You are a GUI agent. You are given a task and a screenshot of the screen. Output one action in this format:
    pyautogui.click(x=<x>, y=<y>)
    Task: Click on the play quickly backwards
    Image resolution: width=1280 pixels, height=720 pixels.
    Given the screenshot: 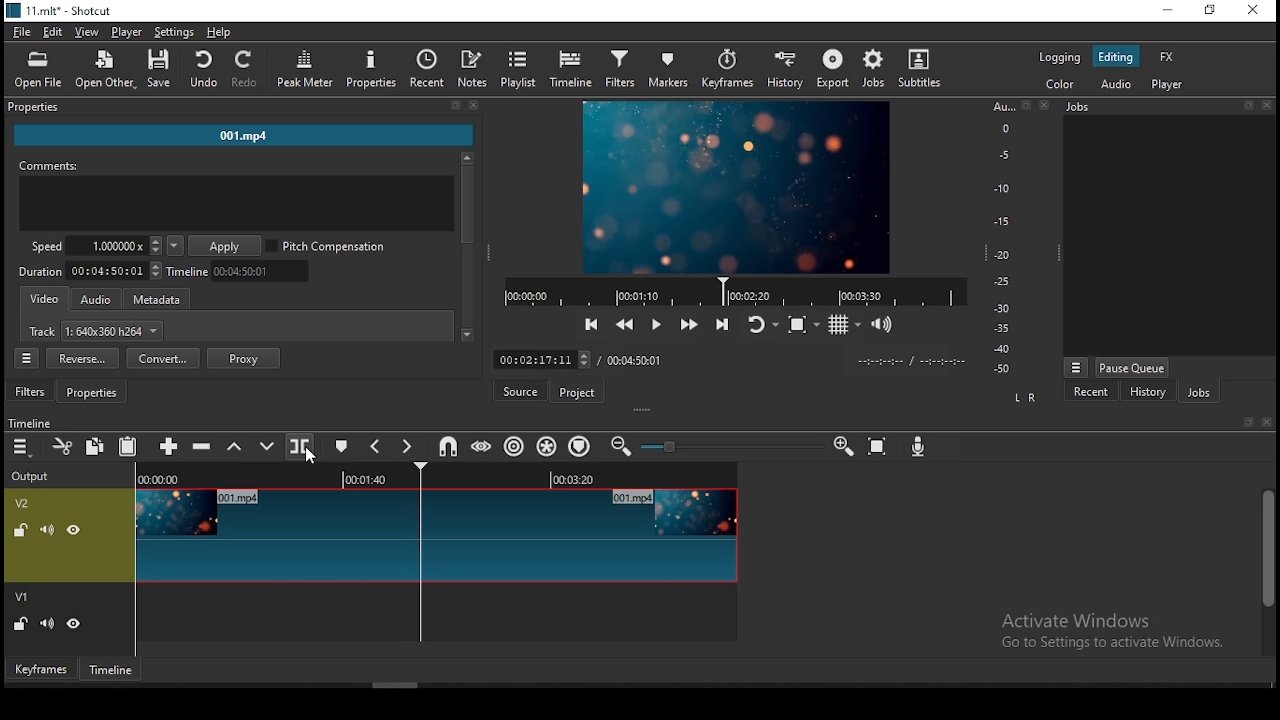 What is the action you would take?
    pyautogui.click(x=625, y=324)
    